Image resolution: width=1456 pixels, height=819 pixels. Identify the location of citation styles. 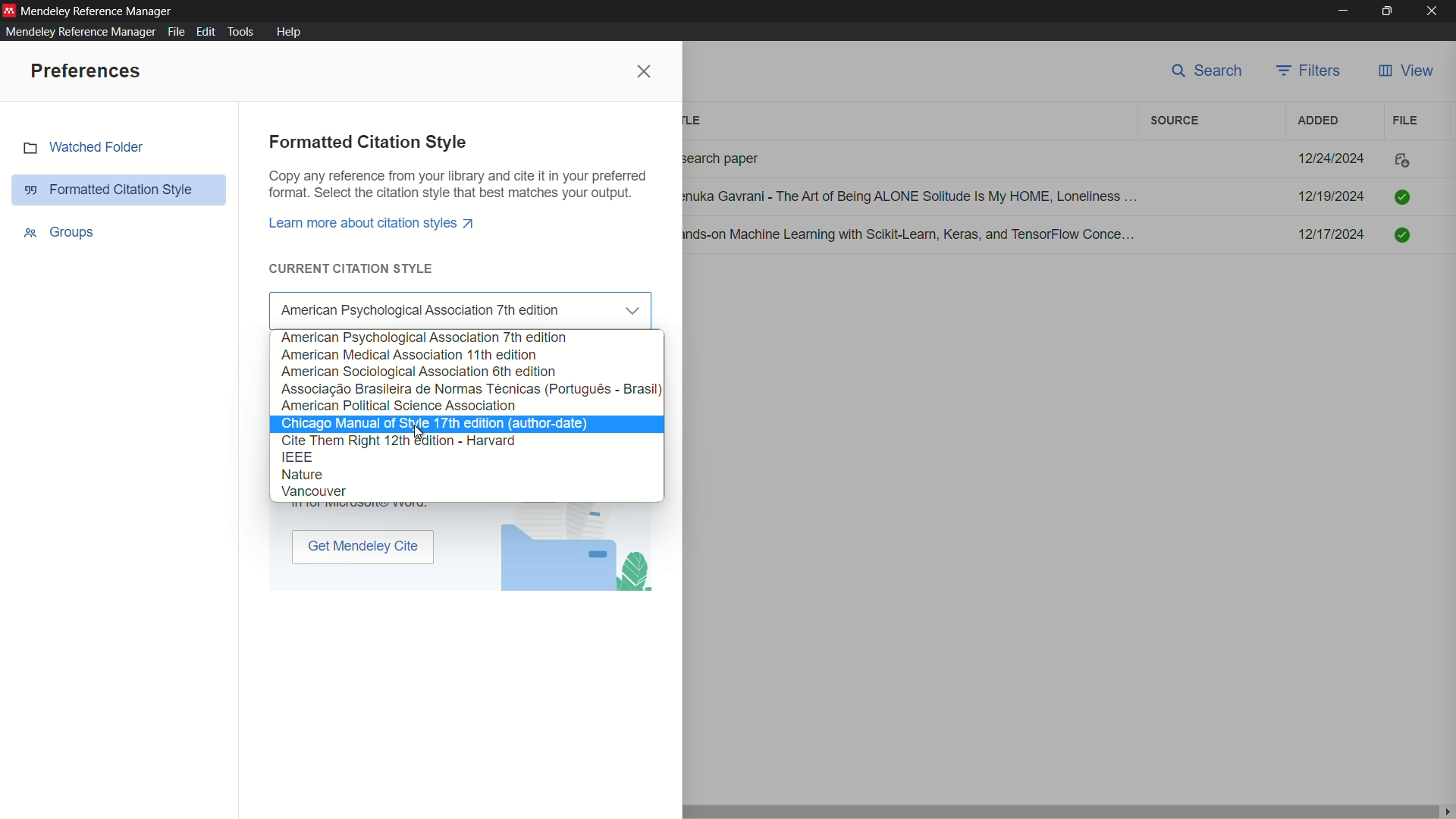
(425, 336).